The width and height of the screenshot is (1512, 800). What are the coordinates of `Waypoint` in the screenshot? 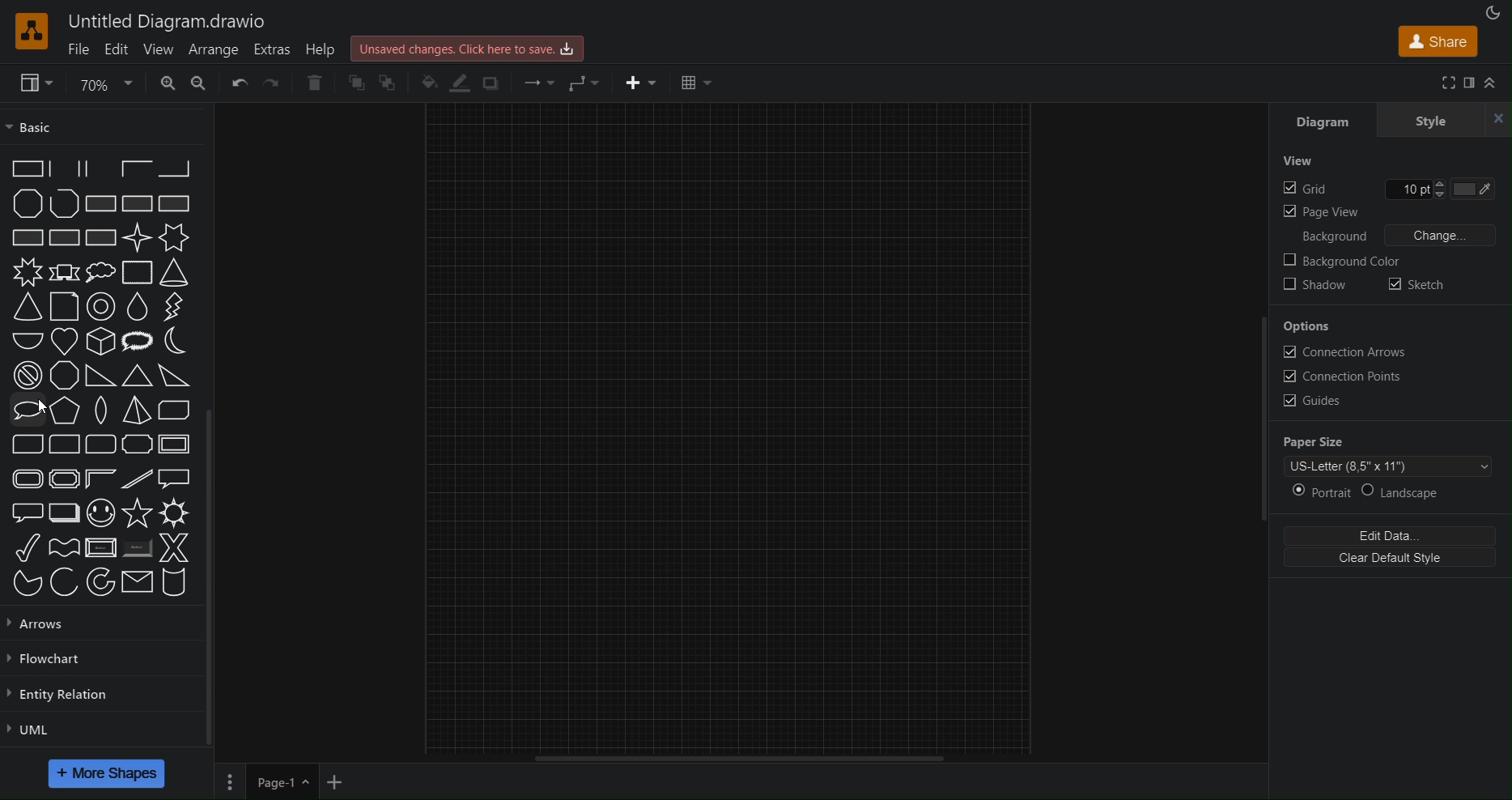 It's located at (582, 84).